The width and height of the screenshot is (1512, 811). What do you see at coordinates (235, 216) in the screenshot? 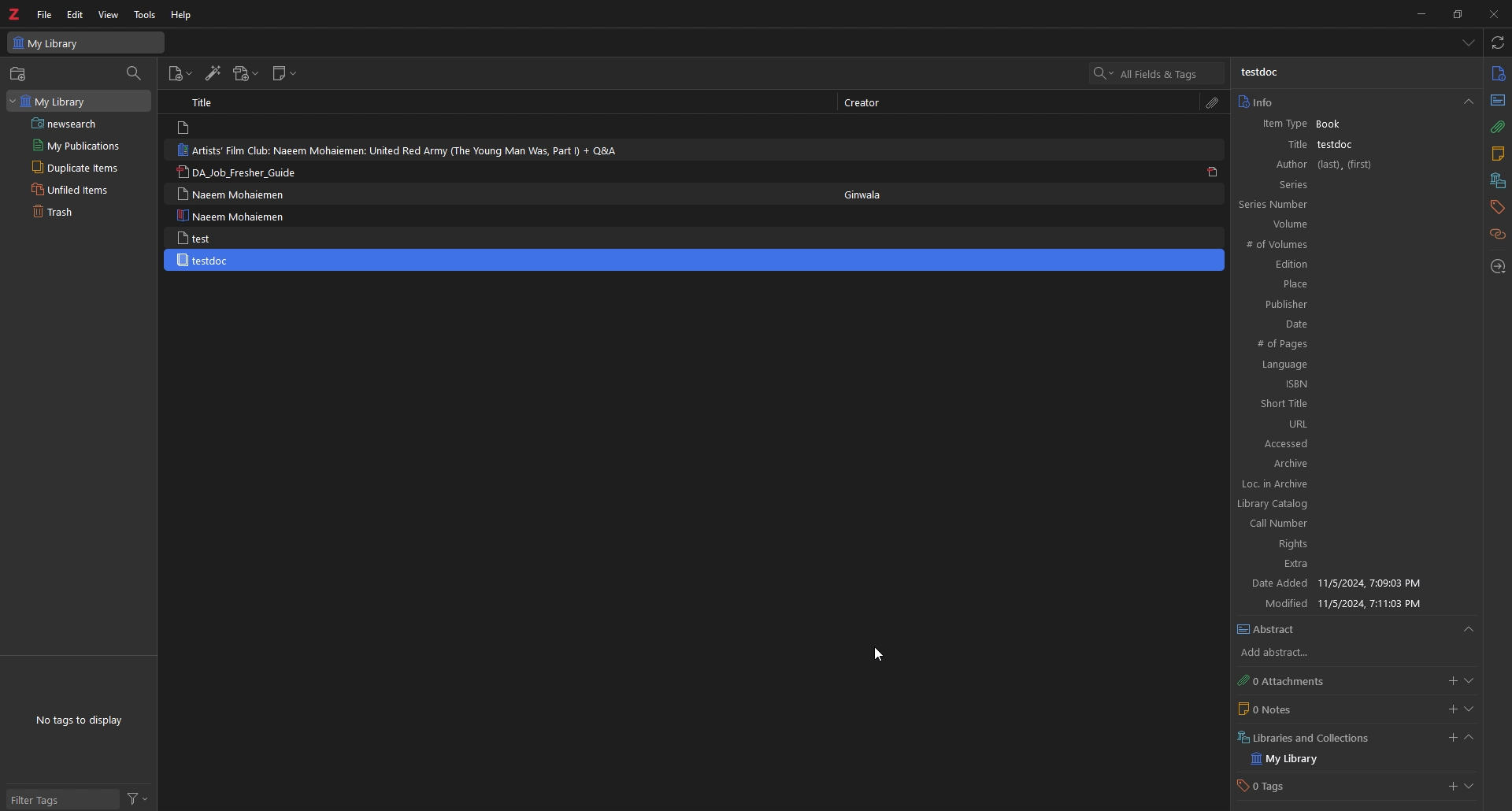
I see `Naeem Mohaiemen` at bounding box center [235, 216].